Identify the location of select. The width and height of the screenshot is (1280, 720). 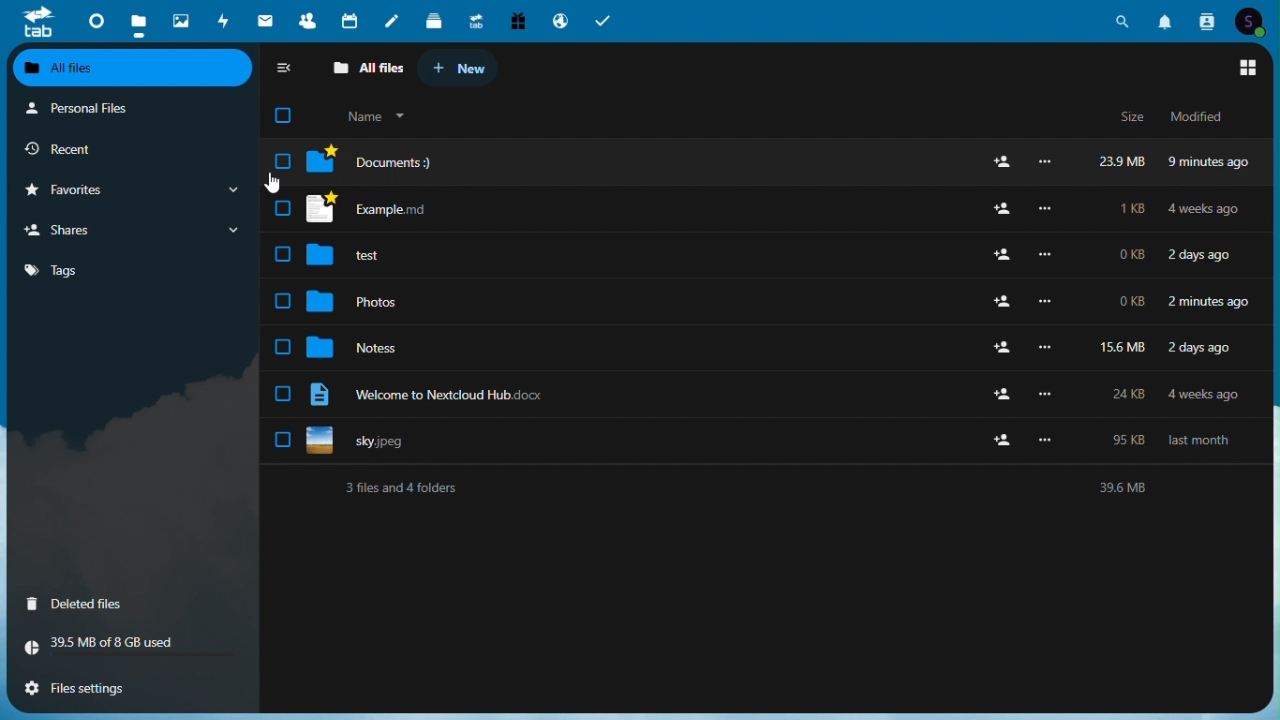
(281, 394).